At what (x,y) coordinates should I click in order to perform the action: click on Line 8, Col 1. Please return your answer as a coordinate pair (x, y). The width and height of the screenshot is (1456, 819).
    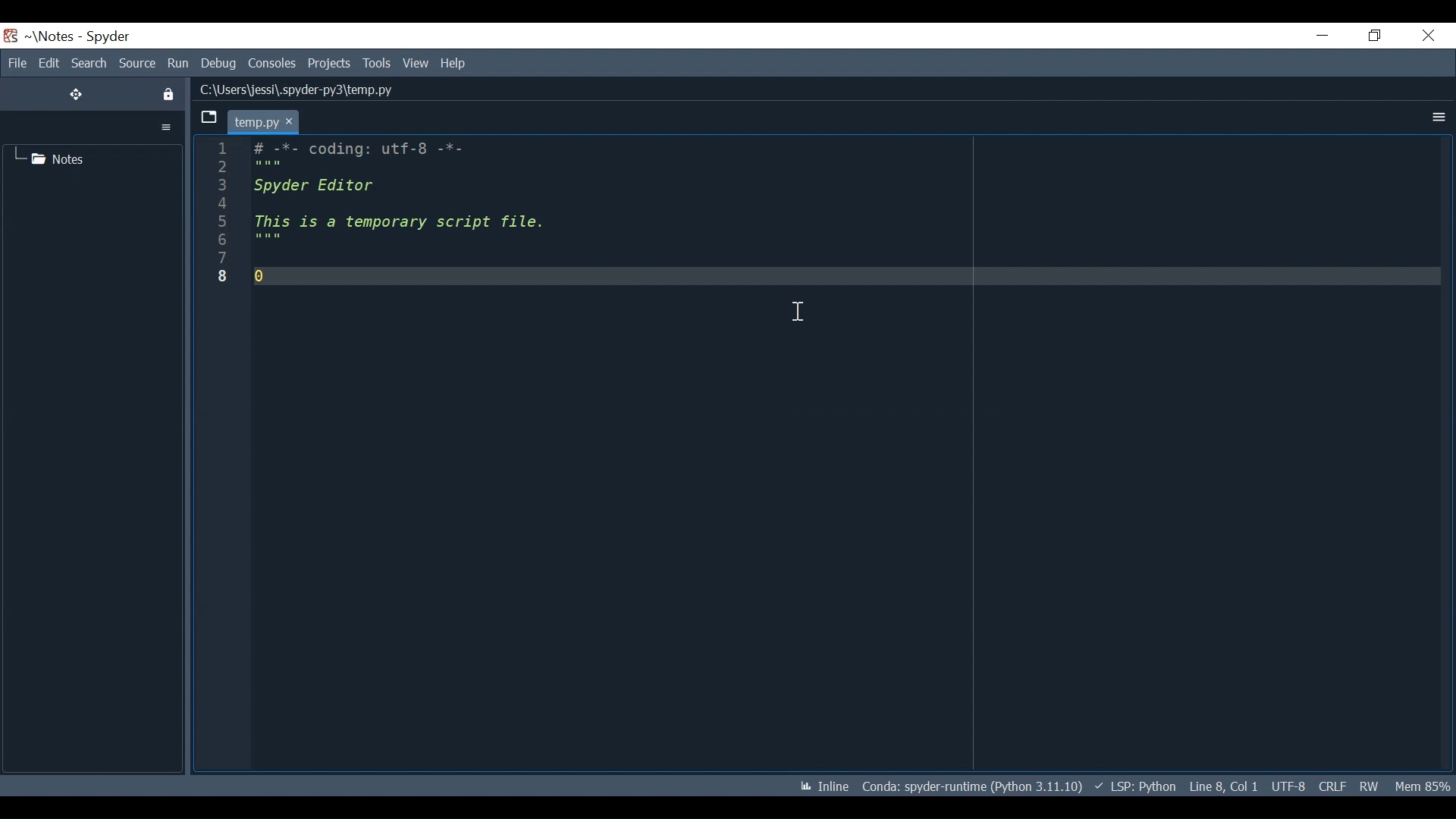
    Looking at the image, I should click on (1222, 787).